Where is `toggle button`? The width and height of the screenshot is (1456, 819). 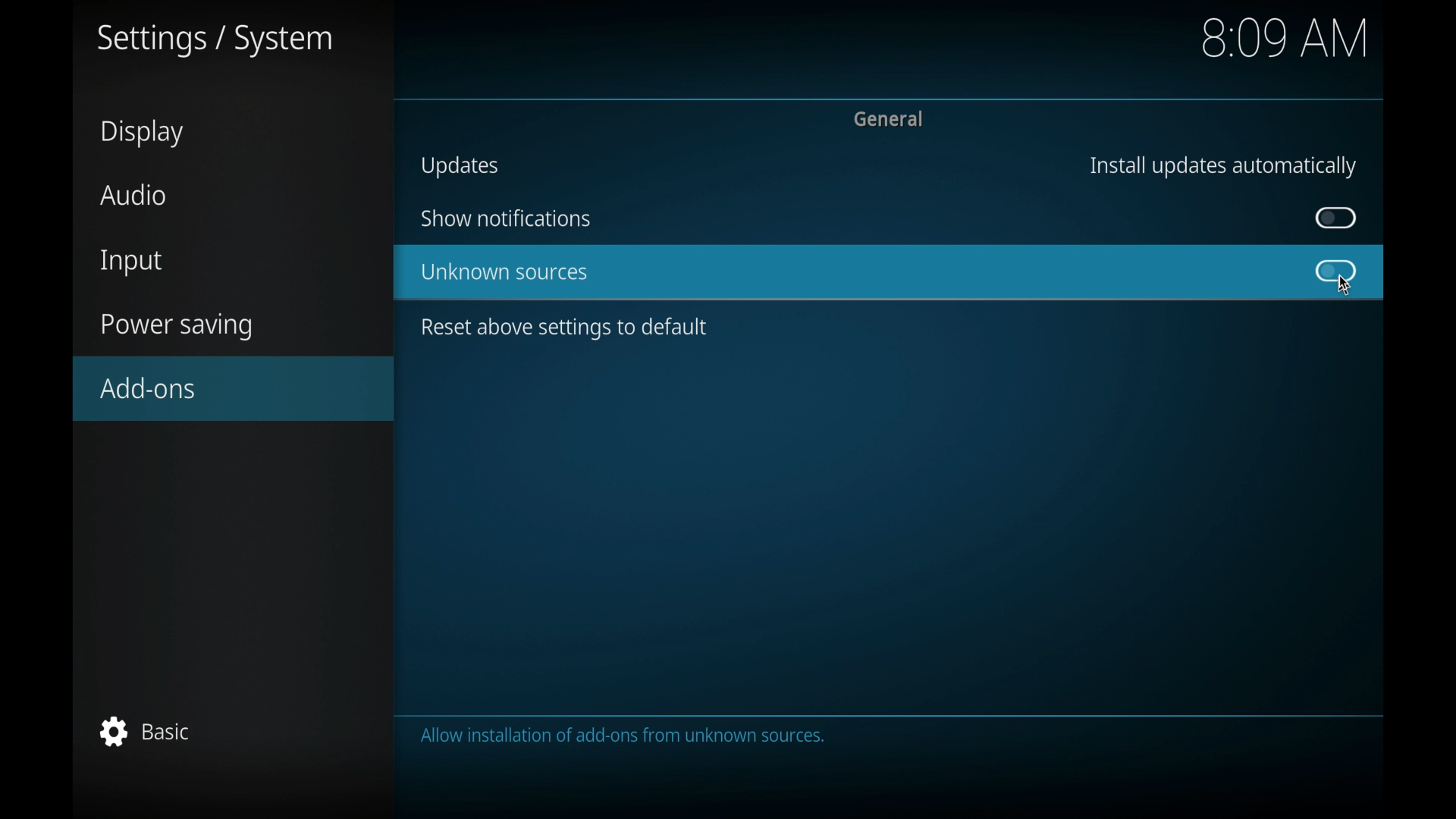 toggle button is located at coordinates (1336, 218).